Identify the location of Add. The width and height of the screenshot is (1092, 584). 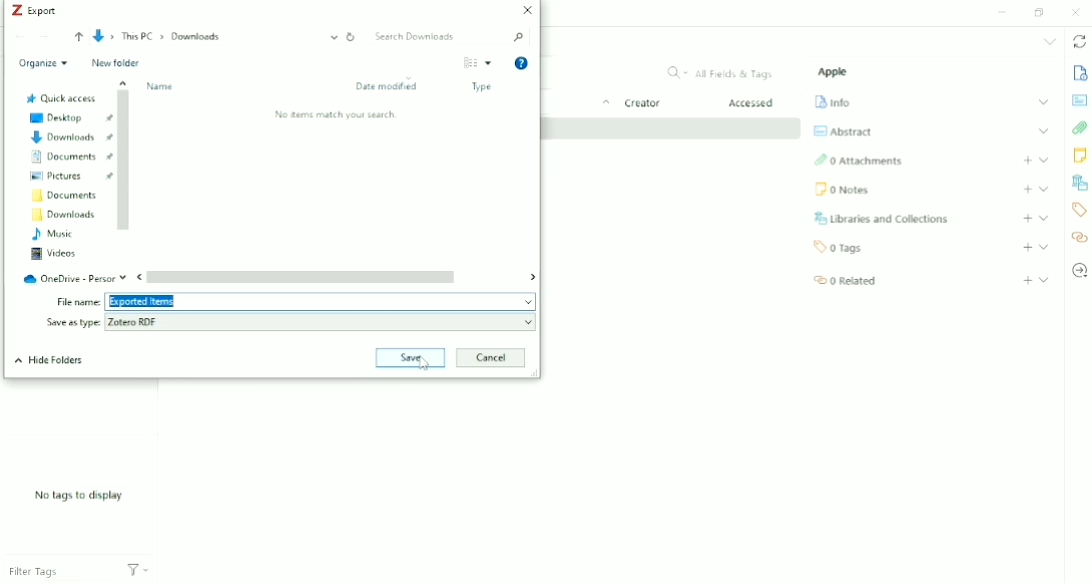
(1028, 218).